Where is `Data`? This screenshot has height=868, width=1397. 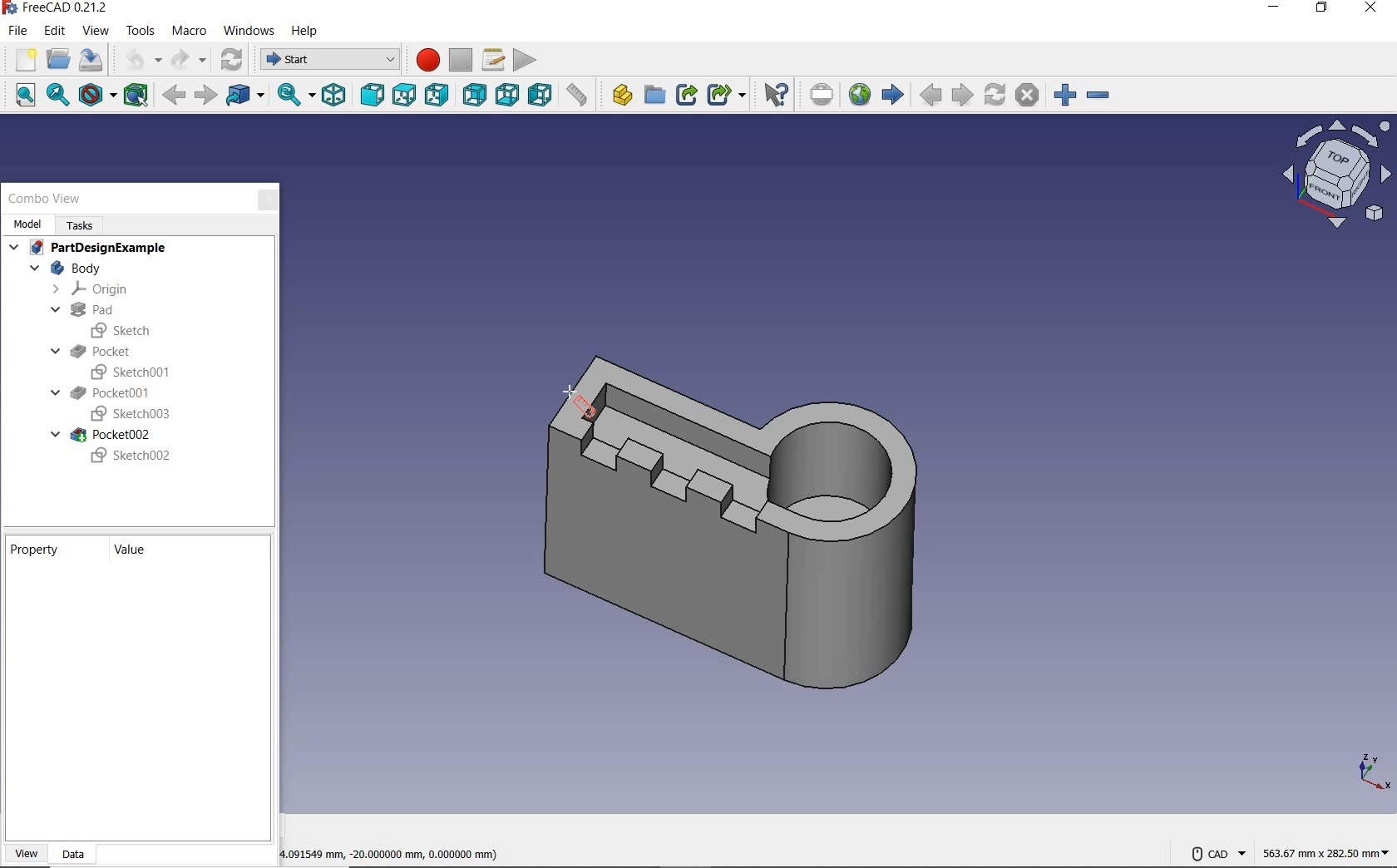
Data is located at coordinates (81, 855).